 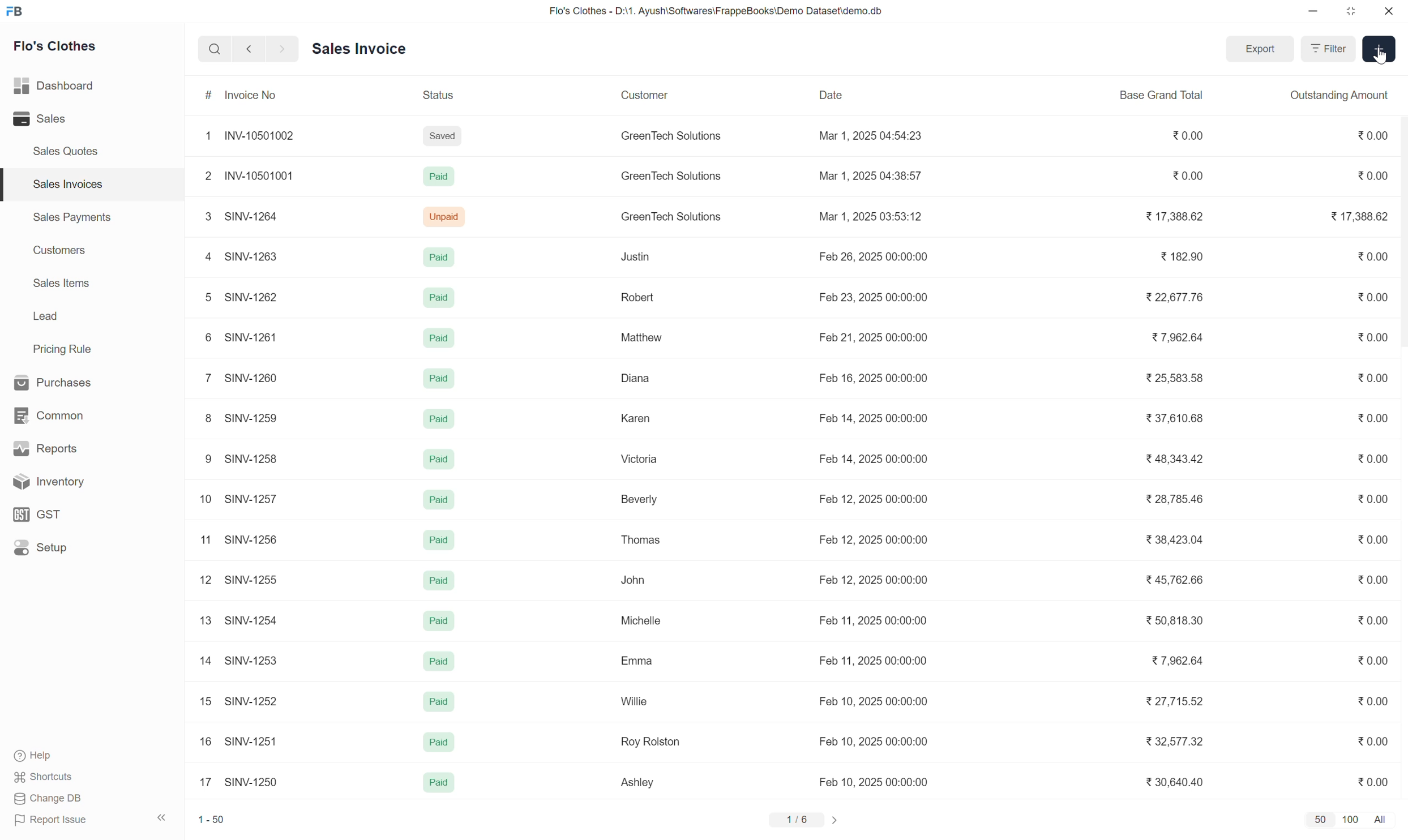 I want to click on close , so click(x=1390, y=12).